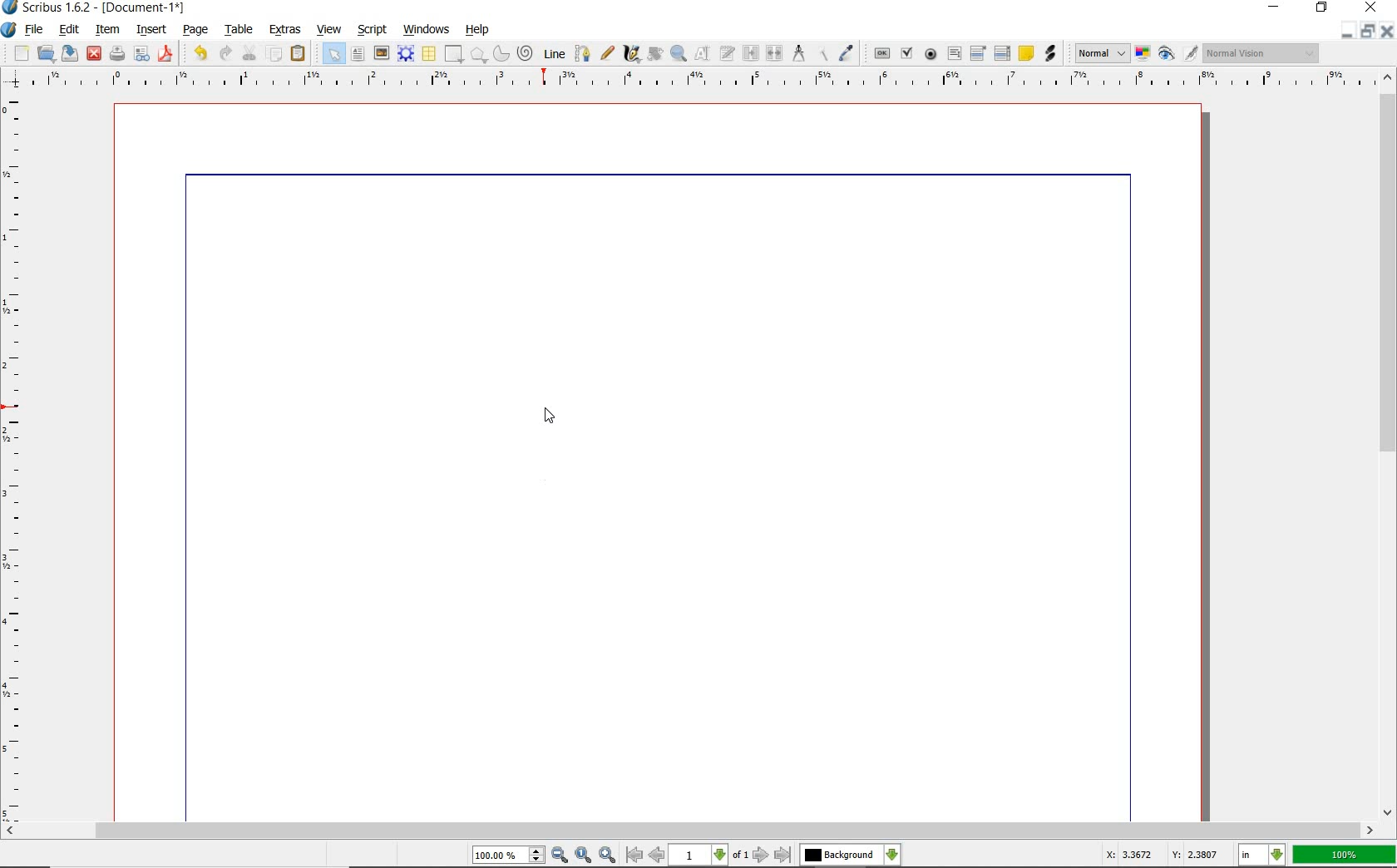 The width and height of the screenshot is (1397, 868). I want to click on Previous Page, so click(658, 857).